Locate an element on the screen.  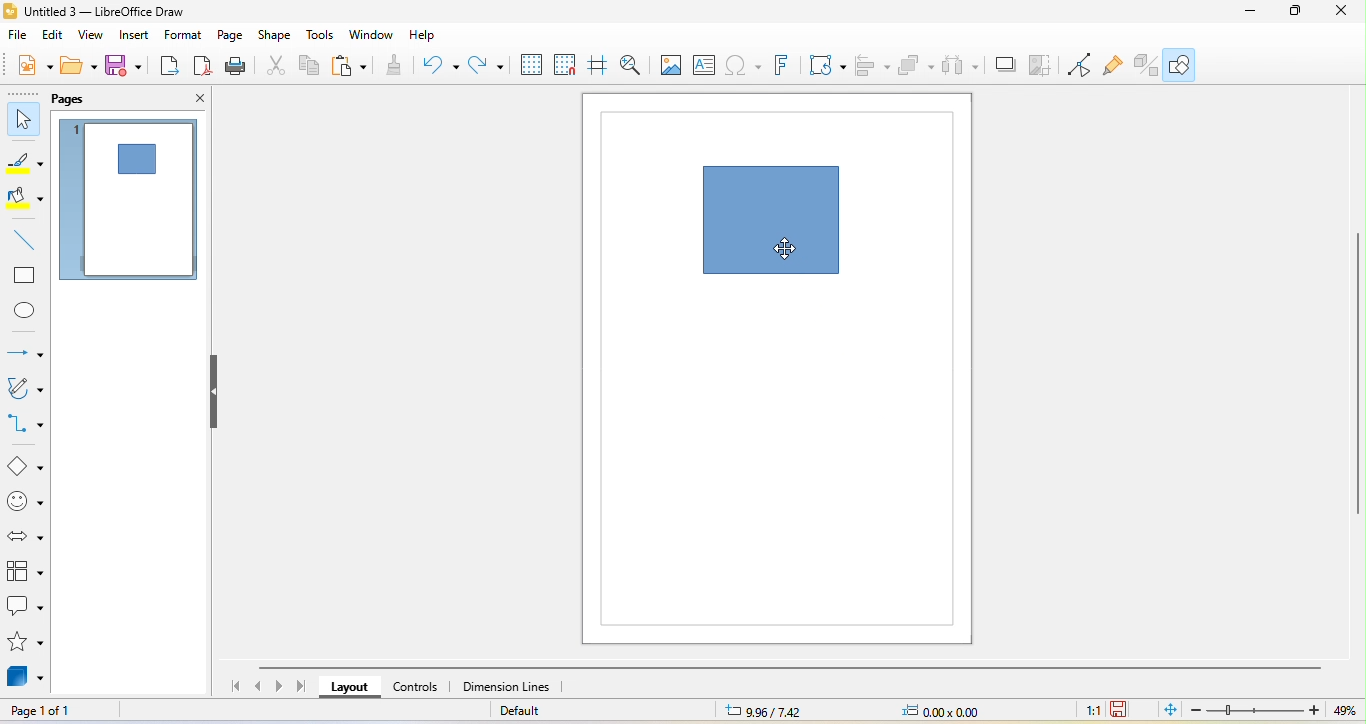
print is located at coordinates (236, 68).